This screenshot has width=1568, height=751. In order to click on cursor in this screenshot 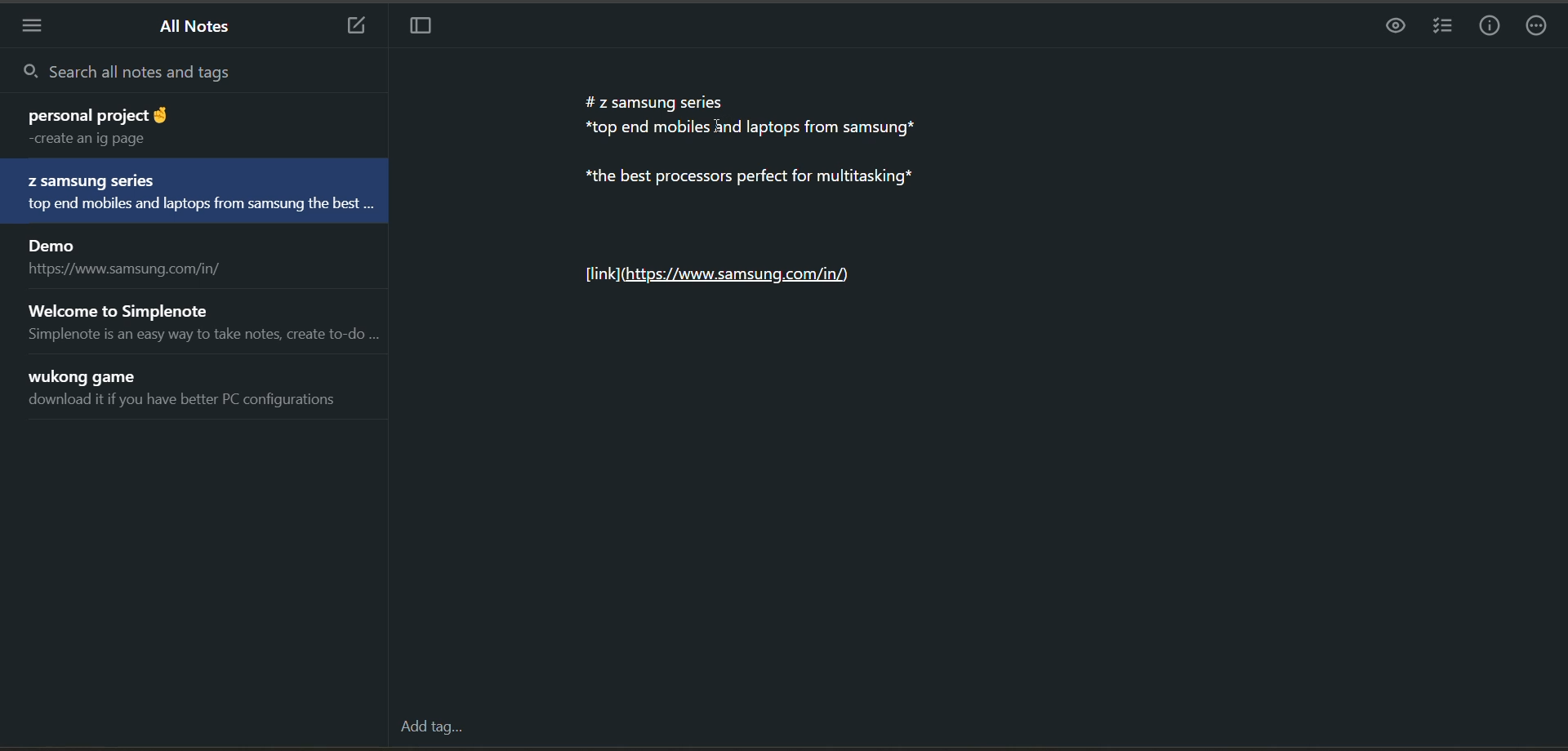, I will do `click(719, 126)`.